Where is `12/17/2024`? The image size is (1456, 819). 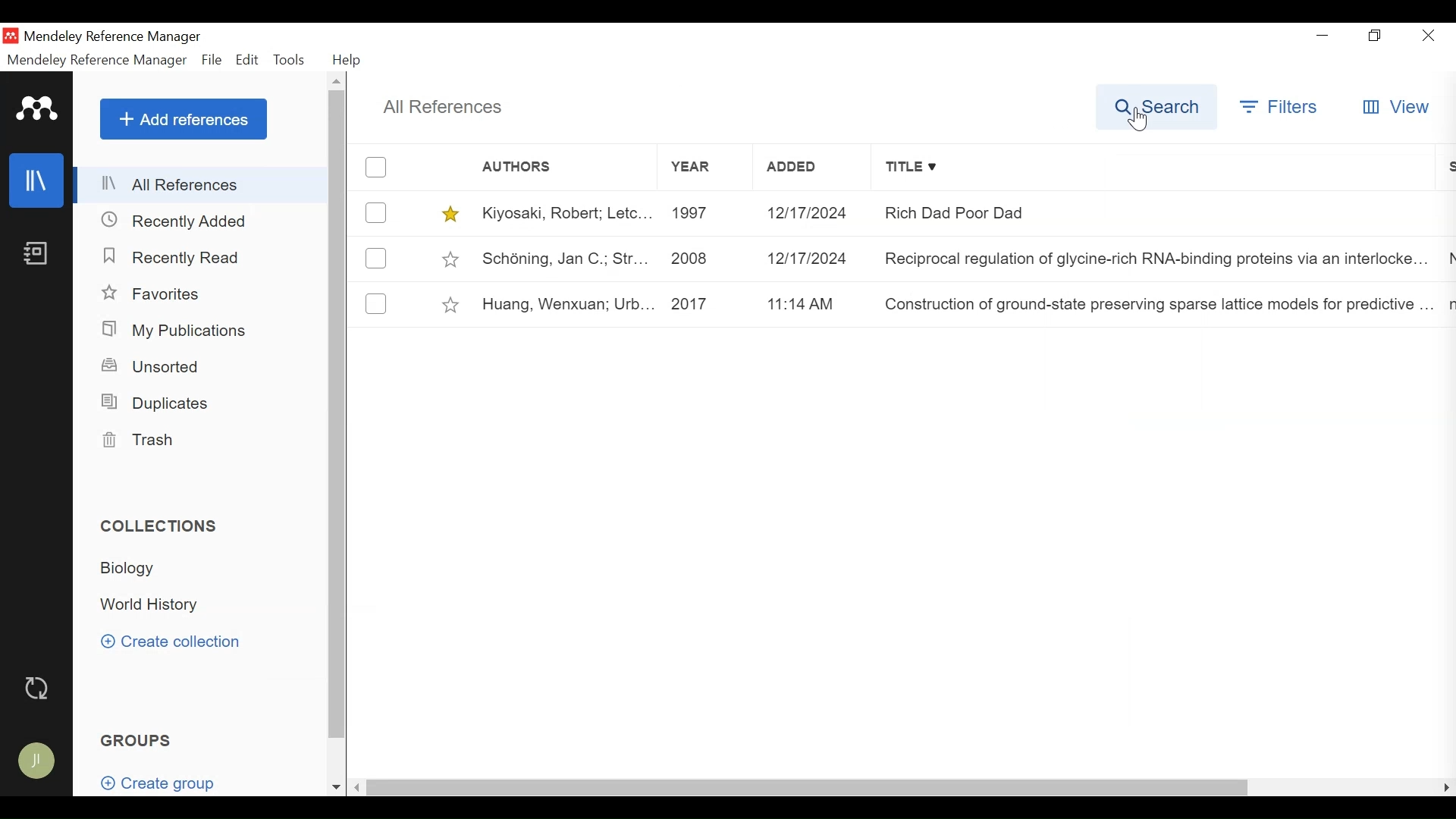
12/17/2024 is located at coordinates (813, 213).